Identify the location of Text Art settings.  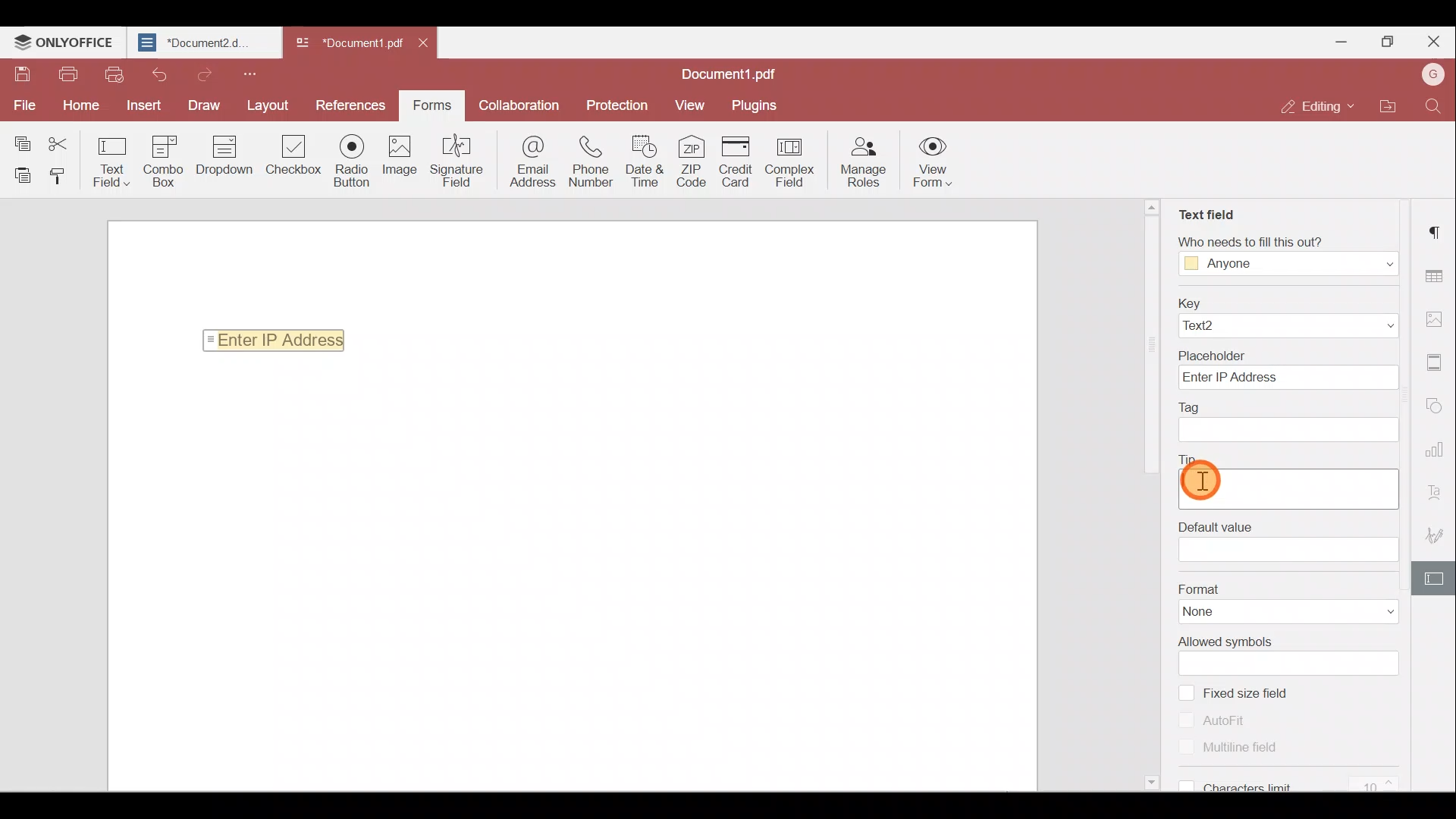
(1438, 488).